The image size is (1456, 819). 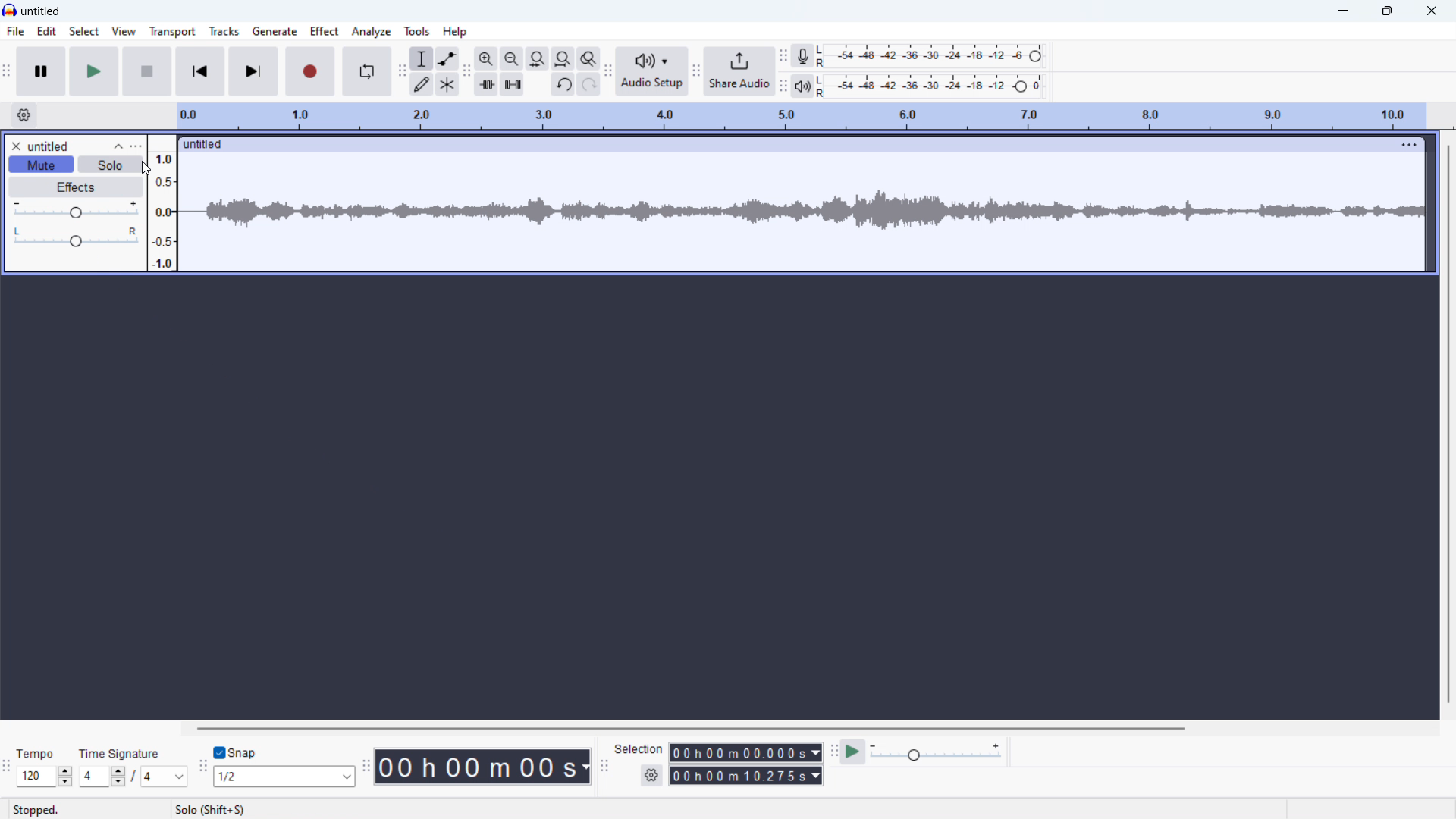 I want to click on selection tool, so click(x=422, y=58).